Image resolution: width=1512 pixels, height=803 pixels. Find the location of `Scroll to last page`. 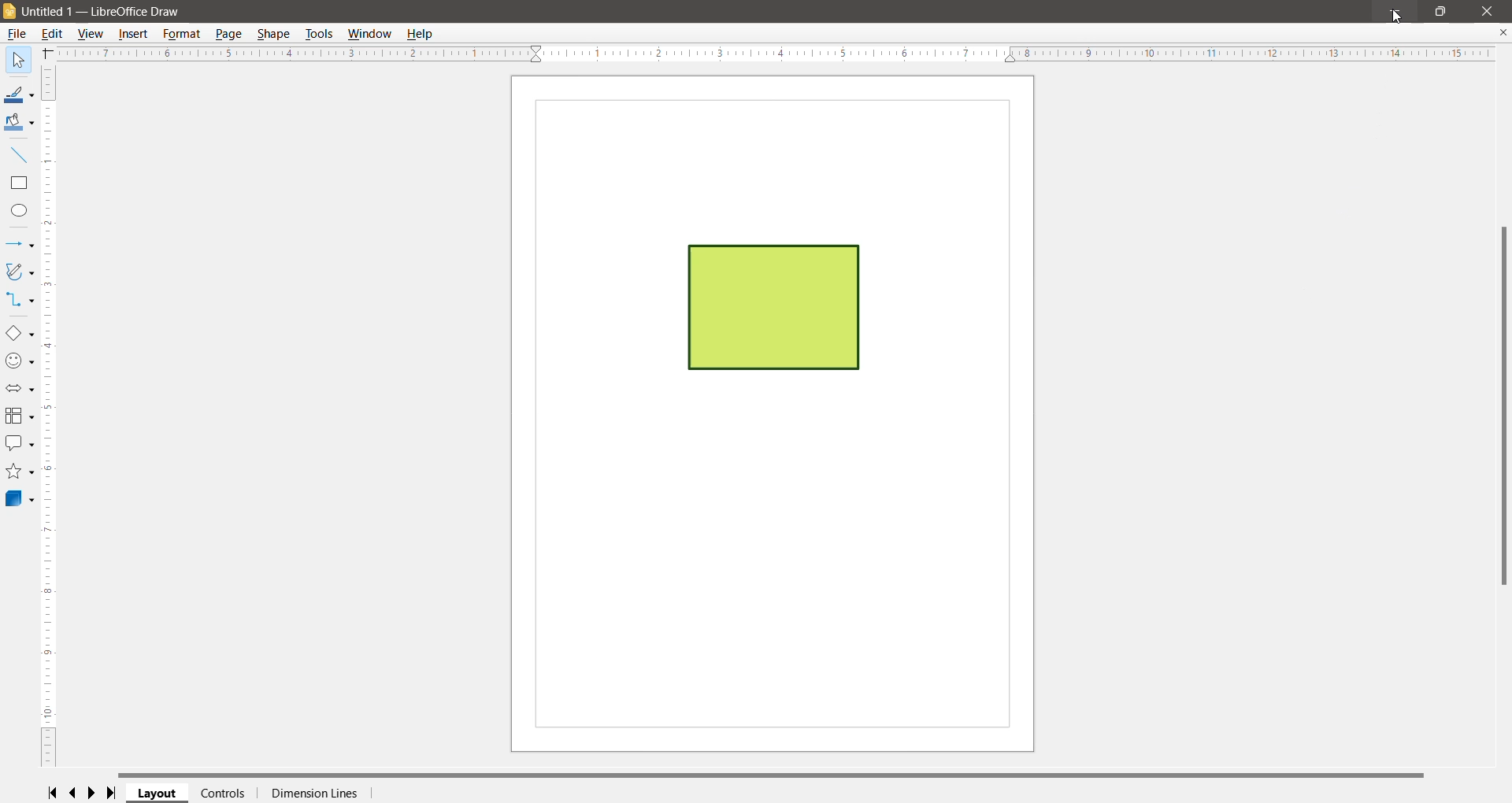

Scroll to last page is located at coordinates (116, 794).